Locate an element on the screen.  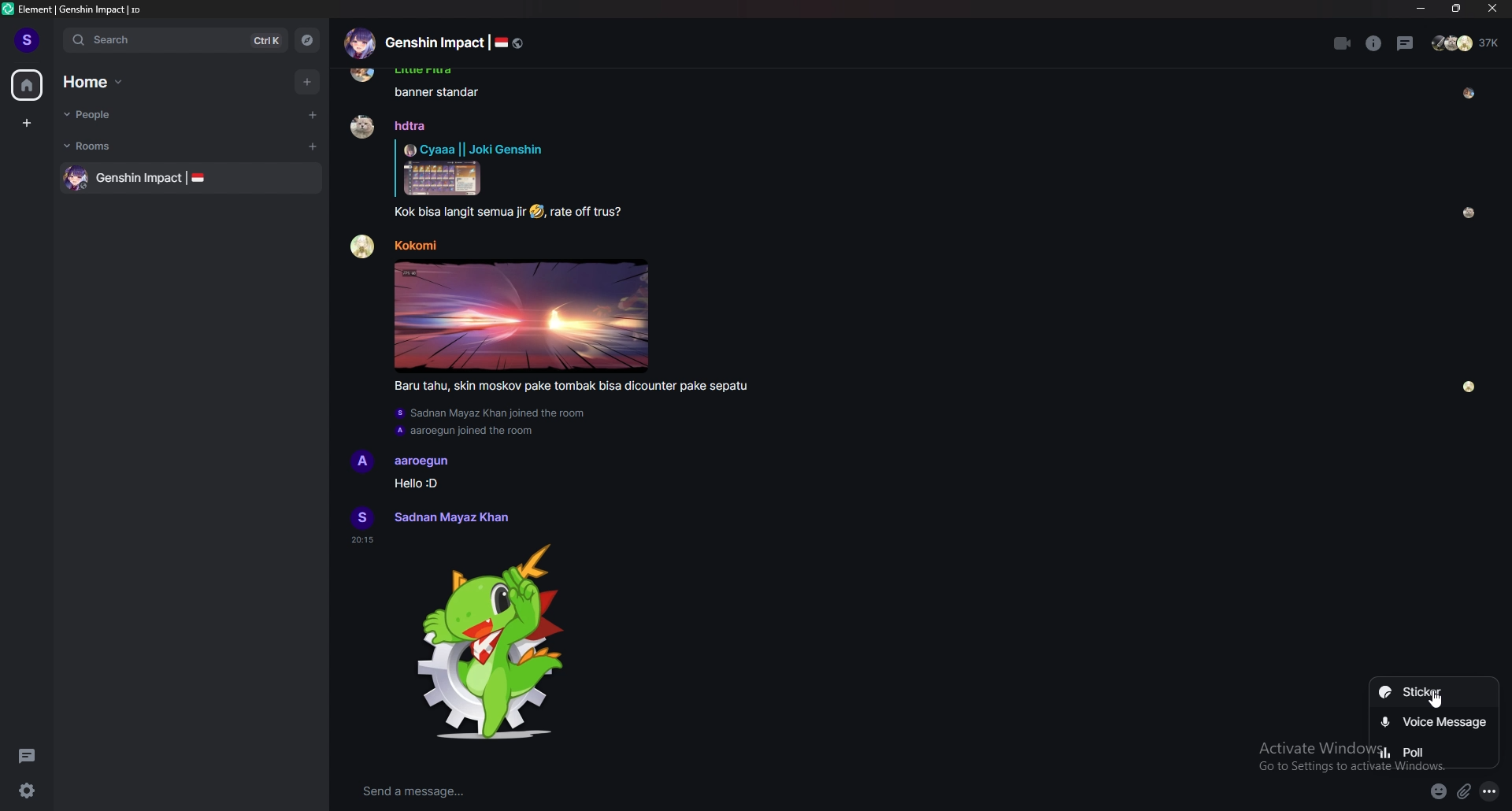
minimize is located at coordinates (1422, 9).